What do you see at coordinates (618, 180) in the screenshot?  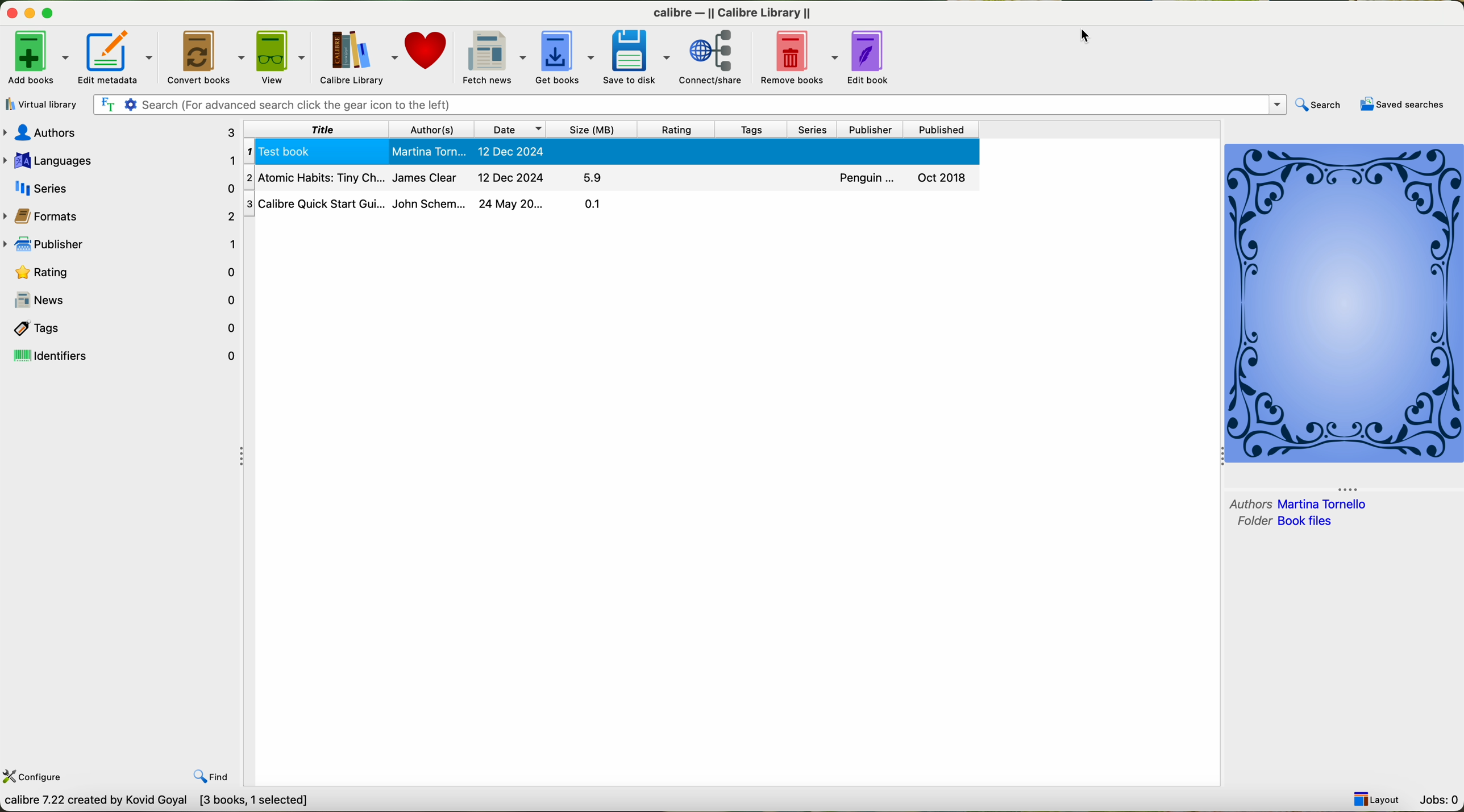 I see `Atomic habits Tiny Ch.....` at bounding box center [618, 180].